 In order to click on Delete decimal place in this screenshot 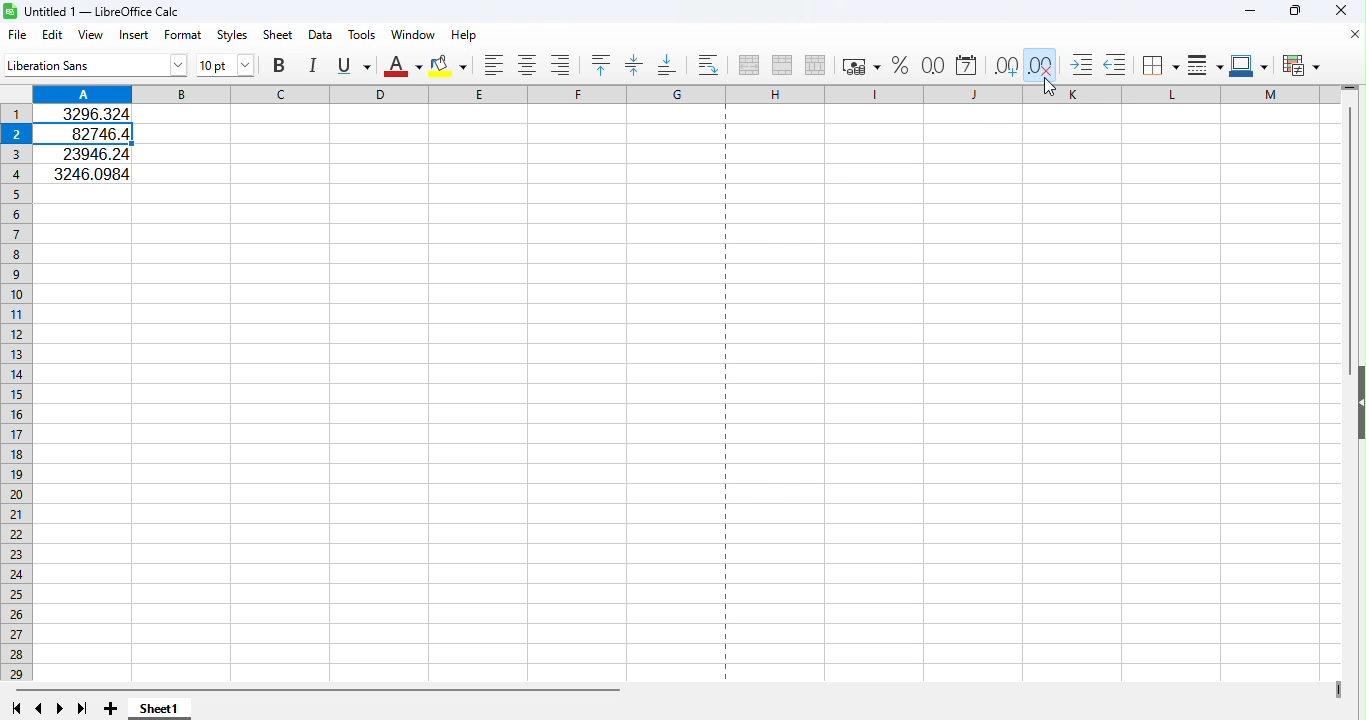, I will do `click(1038, 64)`.